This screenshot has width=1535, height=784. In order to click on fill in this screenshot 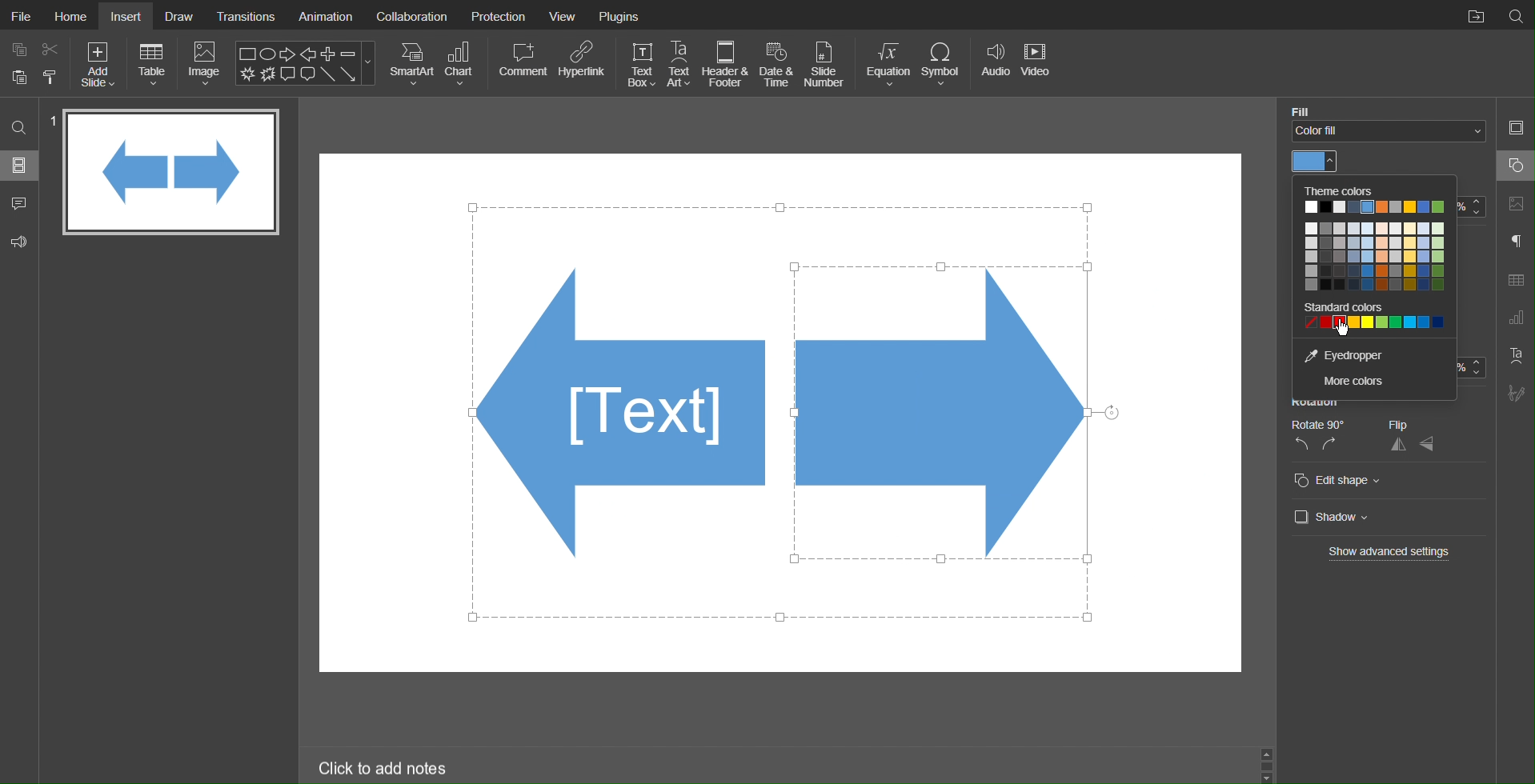, I will do `click(1303, 111)`.